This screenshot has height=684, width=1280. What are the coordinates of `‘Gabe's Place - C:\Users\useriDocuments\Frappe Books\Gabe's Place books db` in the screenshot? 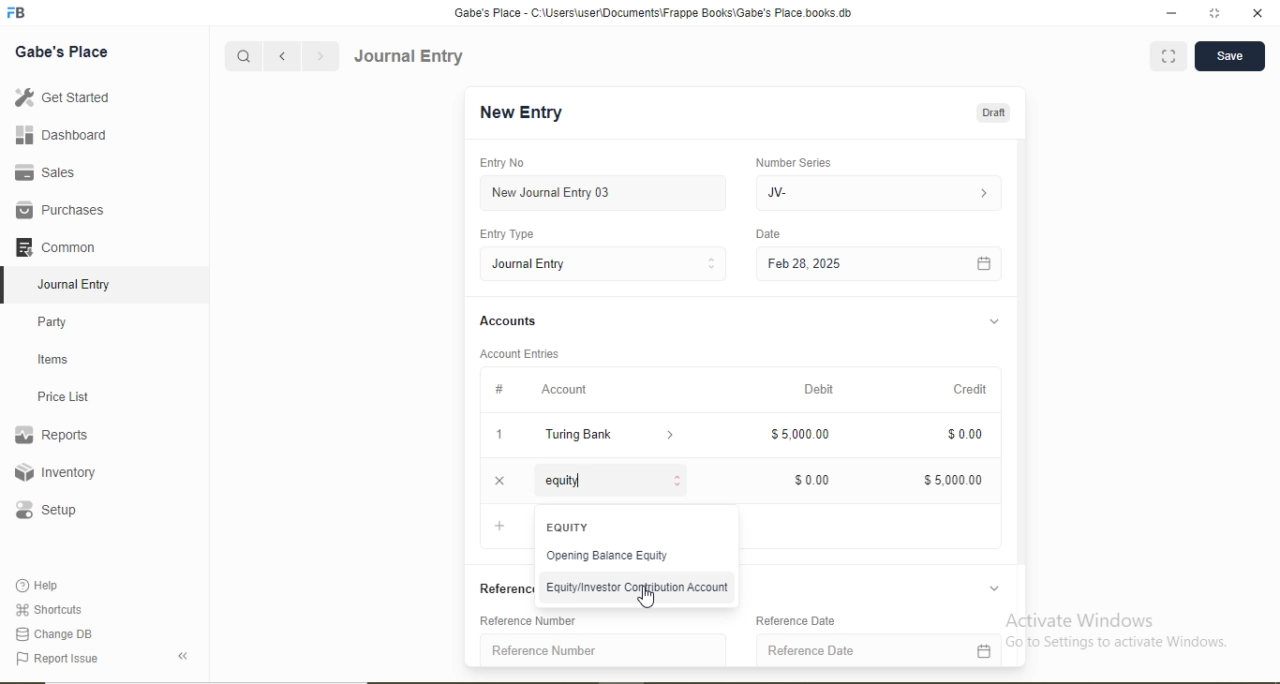 It's located at (652, 13).